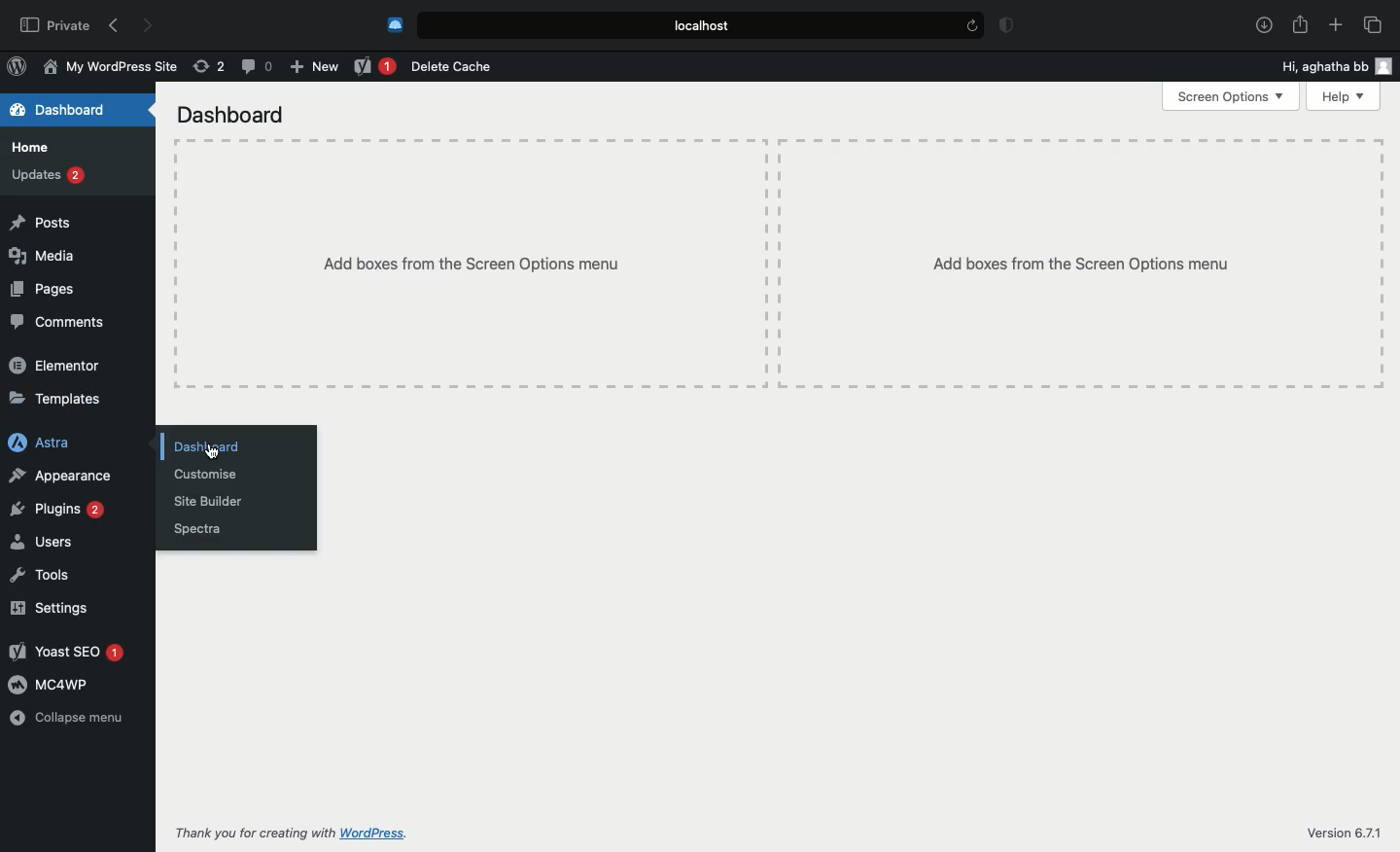  What do you see at coordinates (1374, 24) in the screenshot?
I see `Tabs` at bounding box center [1374, 24].